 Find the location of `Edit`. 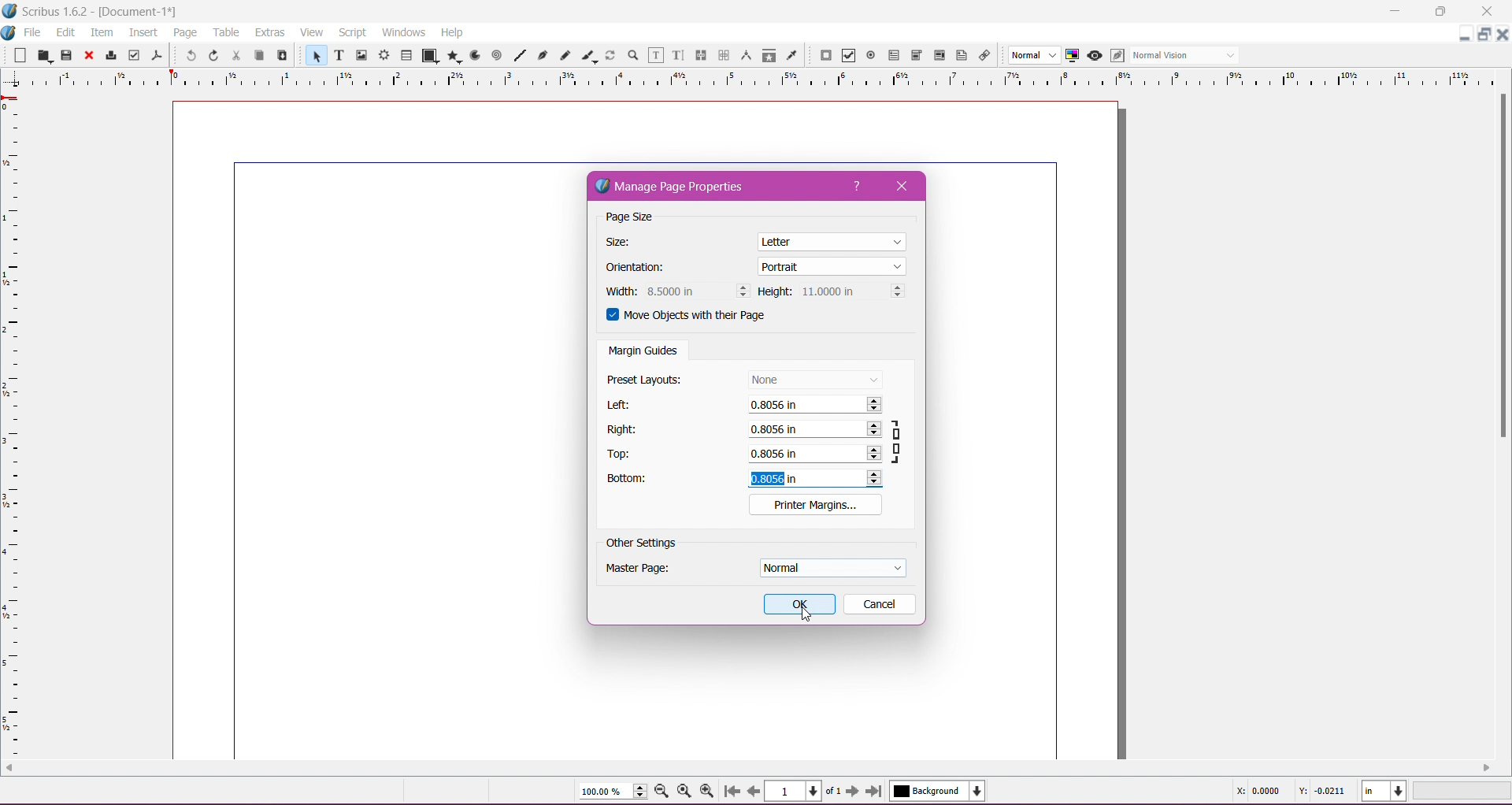

Edit is located at coordinates (65, 32).